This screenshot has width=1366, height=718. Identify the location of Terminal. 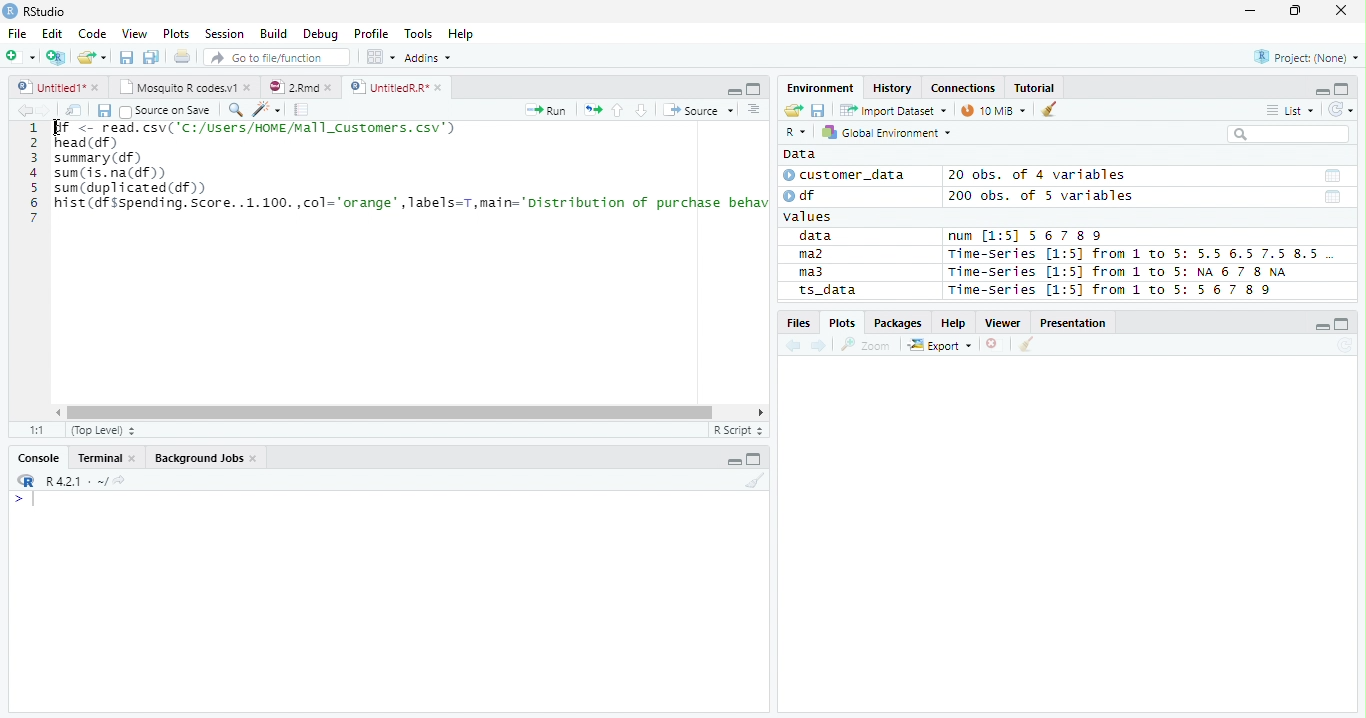
(106, 460).